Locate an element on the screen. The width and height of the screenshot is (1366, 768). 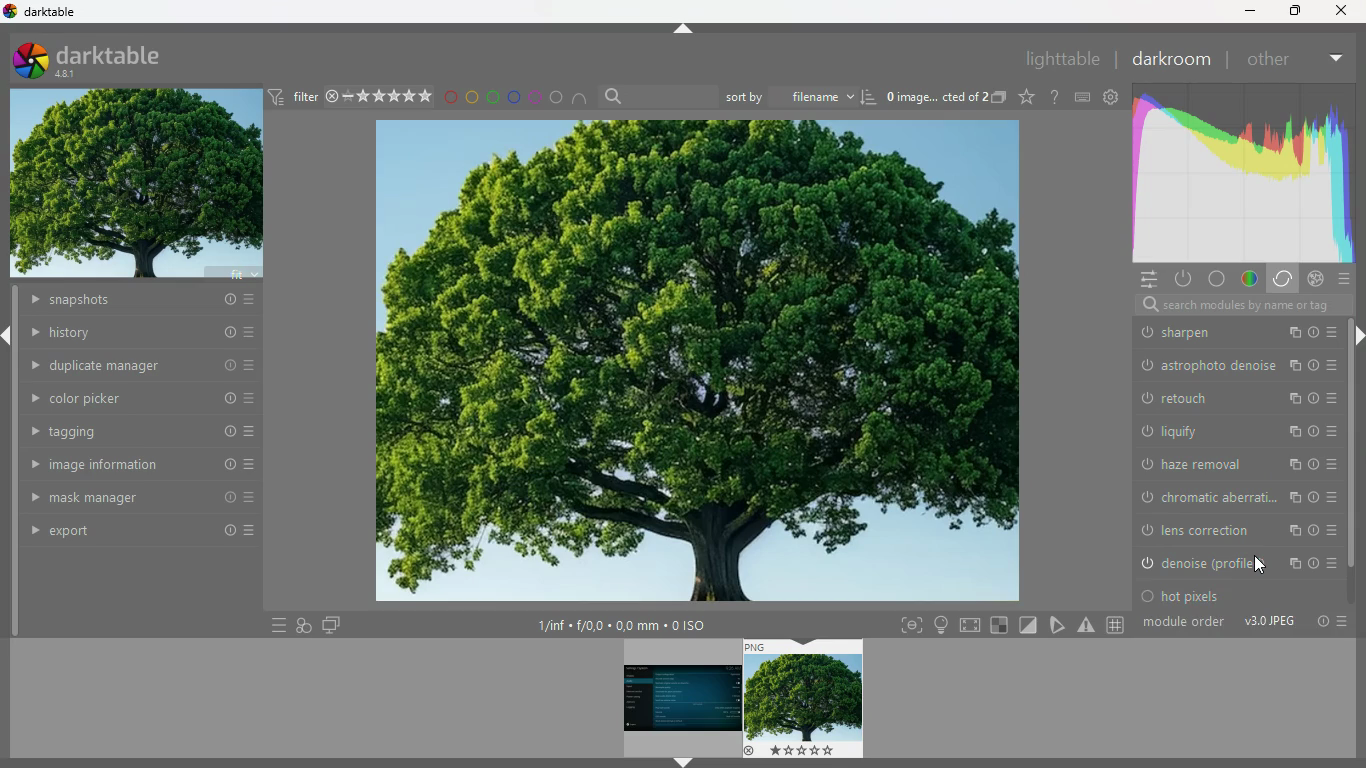
square is located at coordinates (1001, 625).